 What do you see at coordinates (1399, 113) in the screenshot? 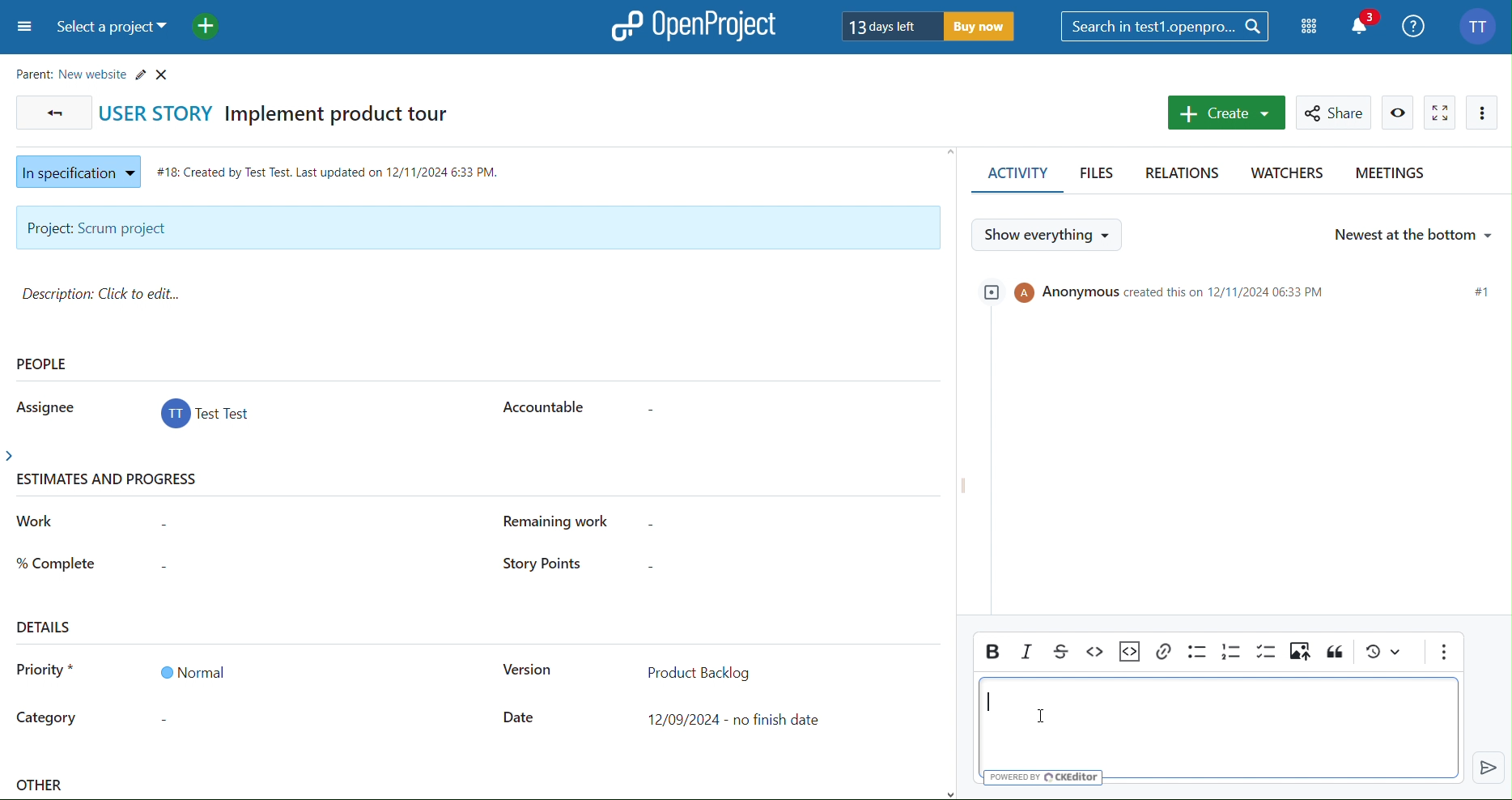
I see `View` at bounding box center [1399, 113].